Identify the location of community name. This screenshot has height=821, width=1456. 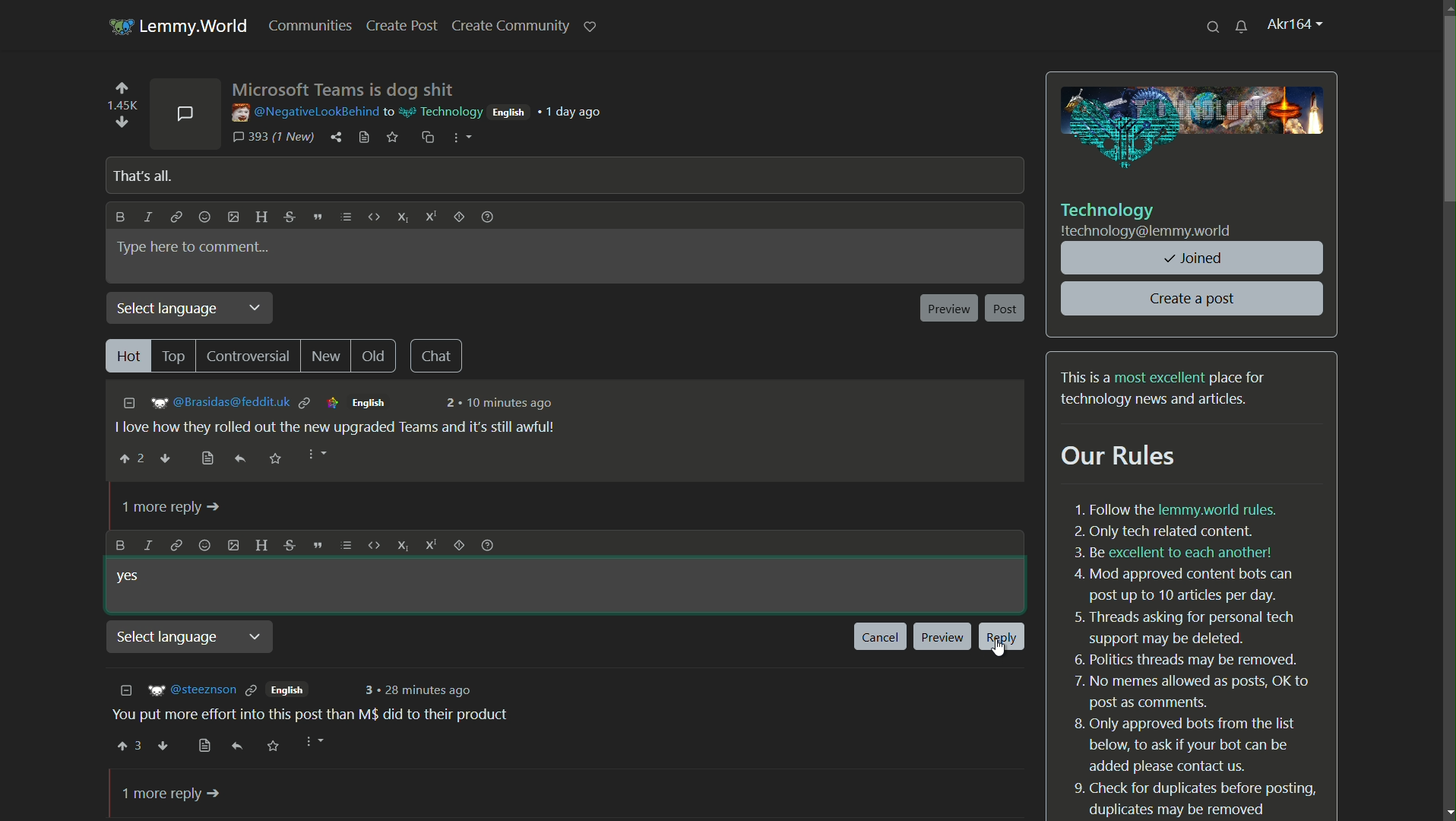
(438, 110).